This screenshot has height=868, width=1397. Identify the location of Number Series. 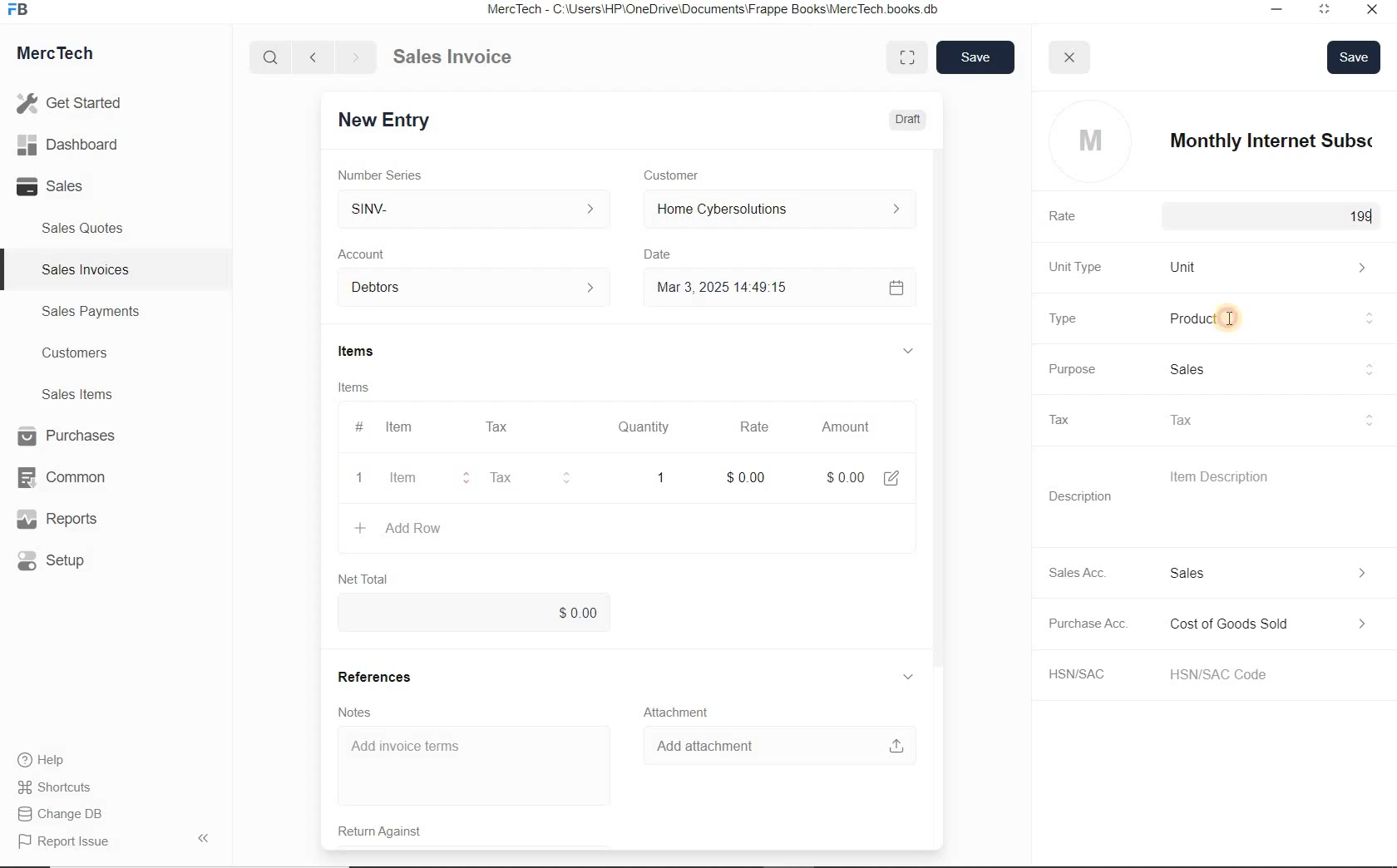
(390, 173).